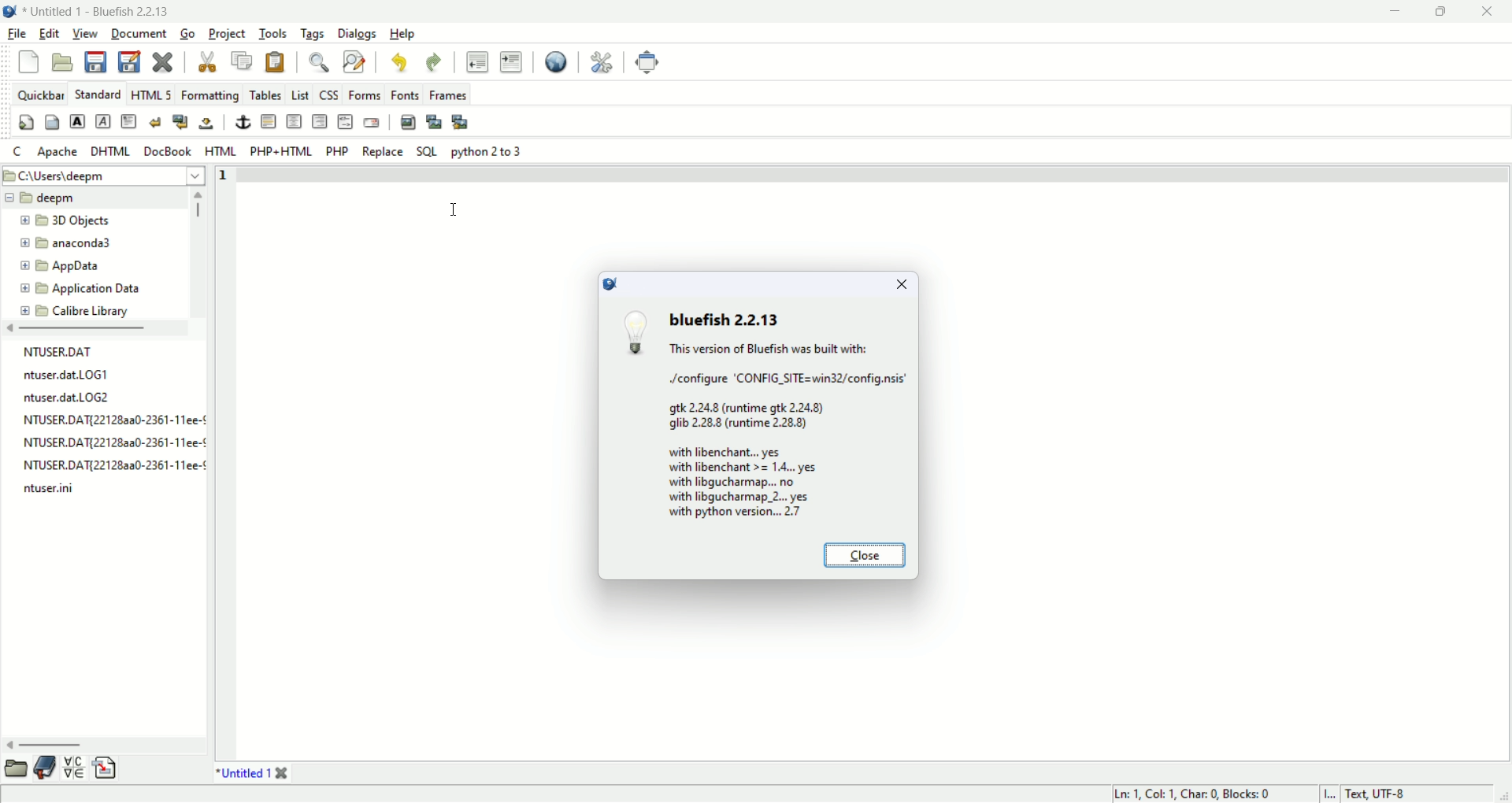 This screenshot has width=1512, height=803. Describe the element at coordinates (50, 491) in the screenshot. I see `file name` at that location.